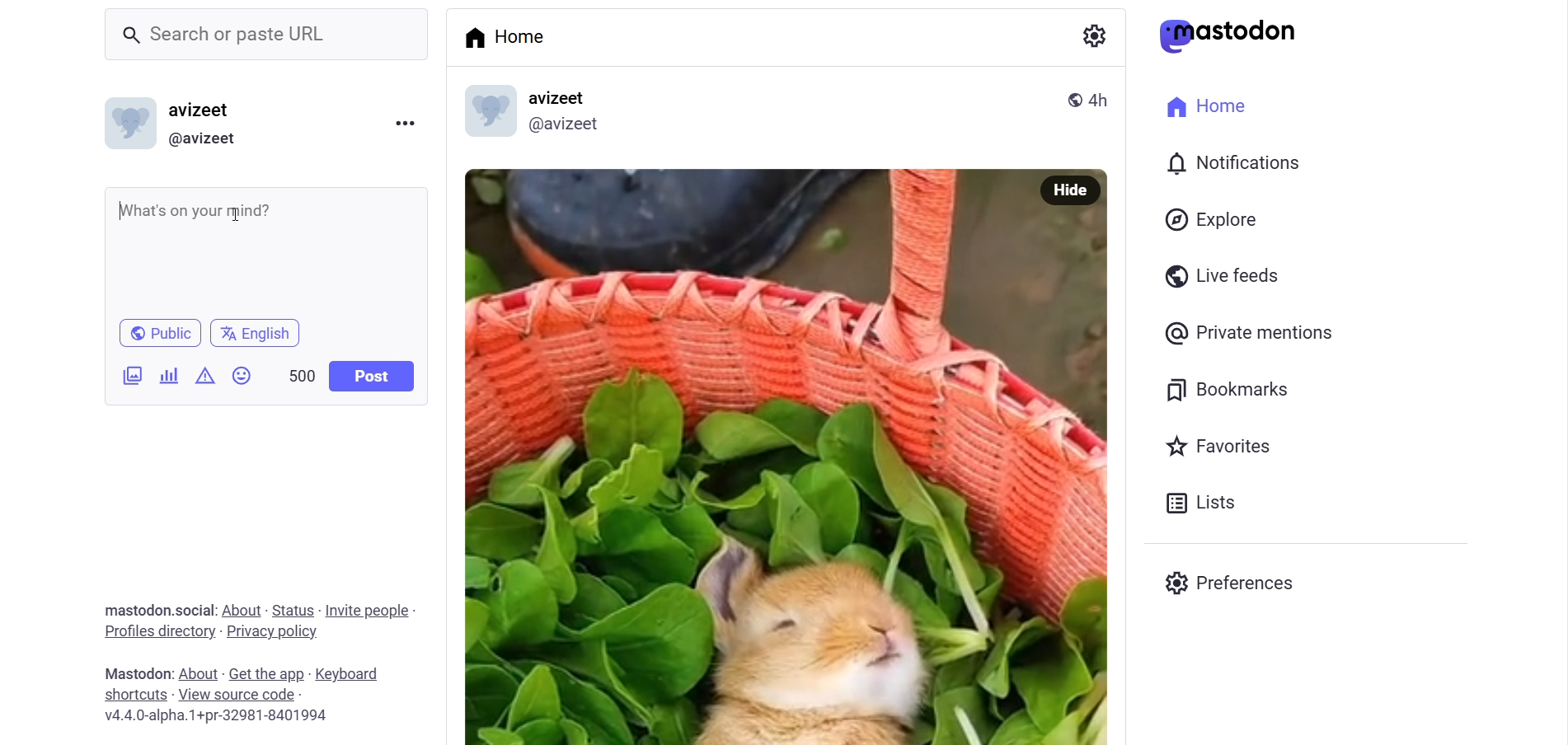 This screenshot has width=1568, height=745. I want to click on avizeet, so click(214, 112).